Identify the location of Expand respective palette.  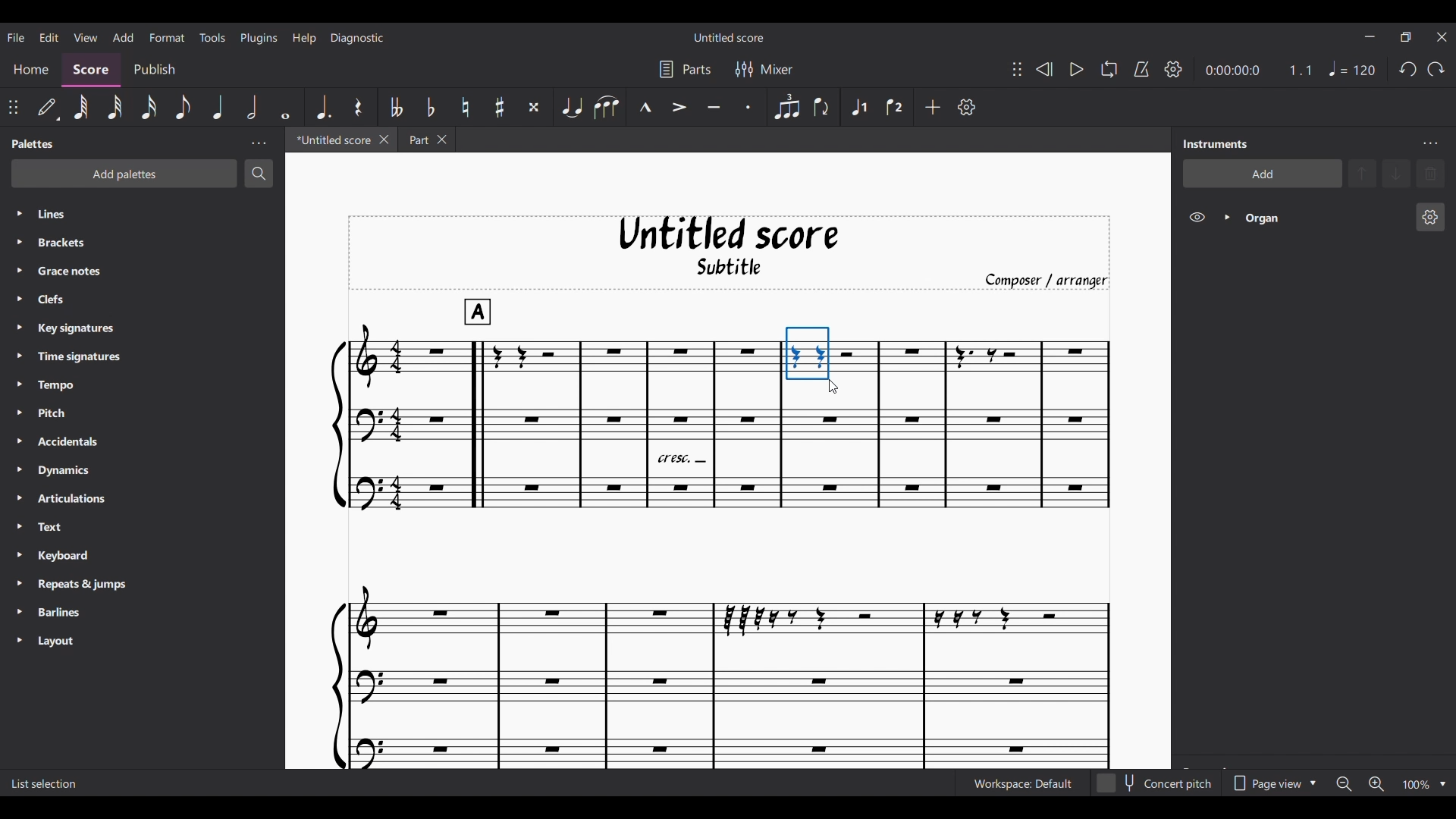
(19, 427).